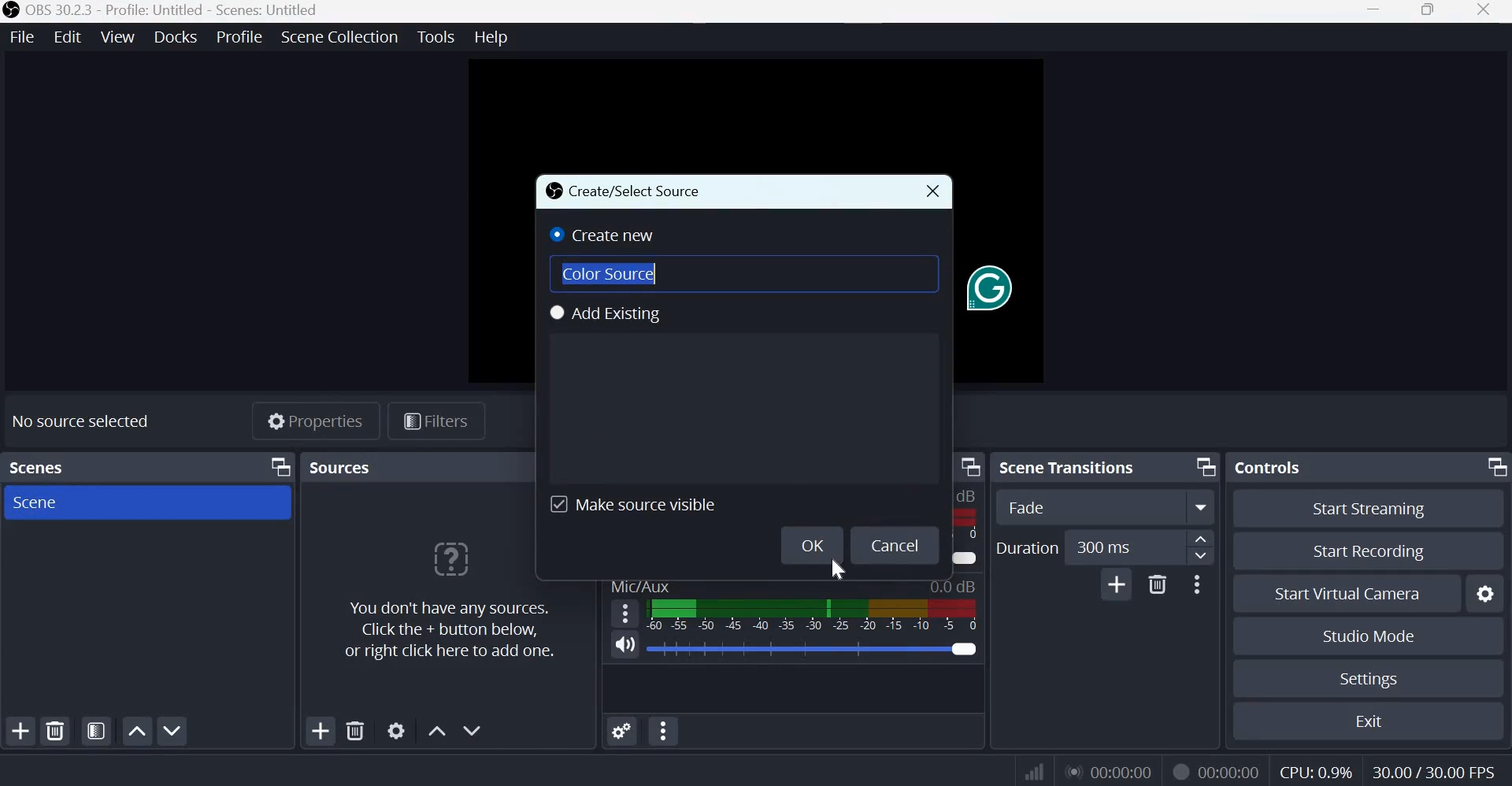  What do you see at coordinates (96, 732) in the screenshot?
I see `Open scene filters` at bounding box center [96, 732].